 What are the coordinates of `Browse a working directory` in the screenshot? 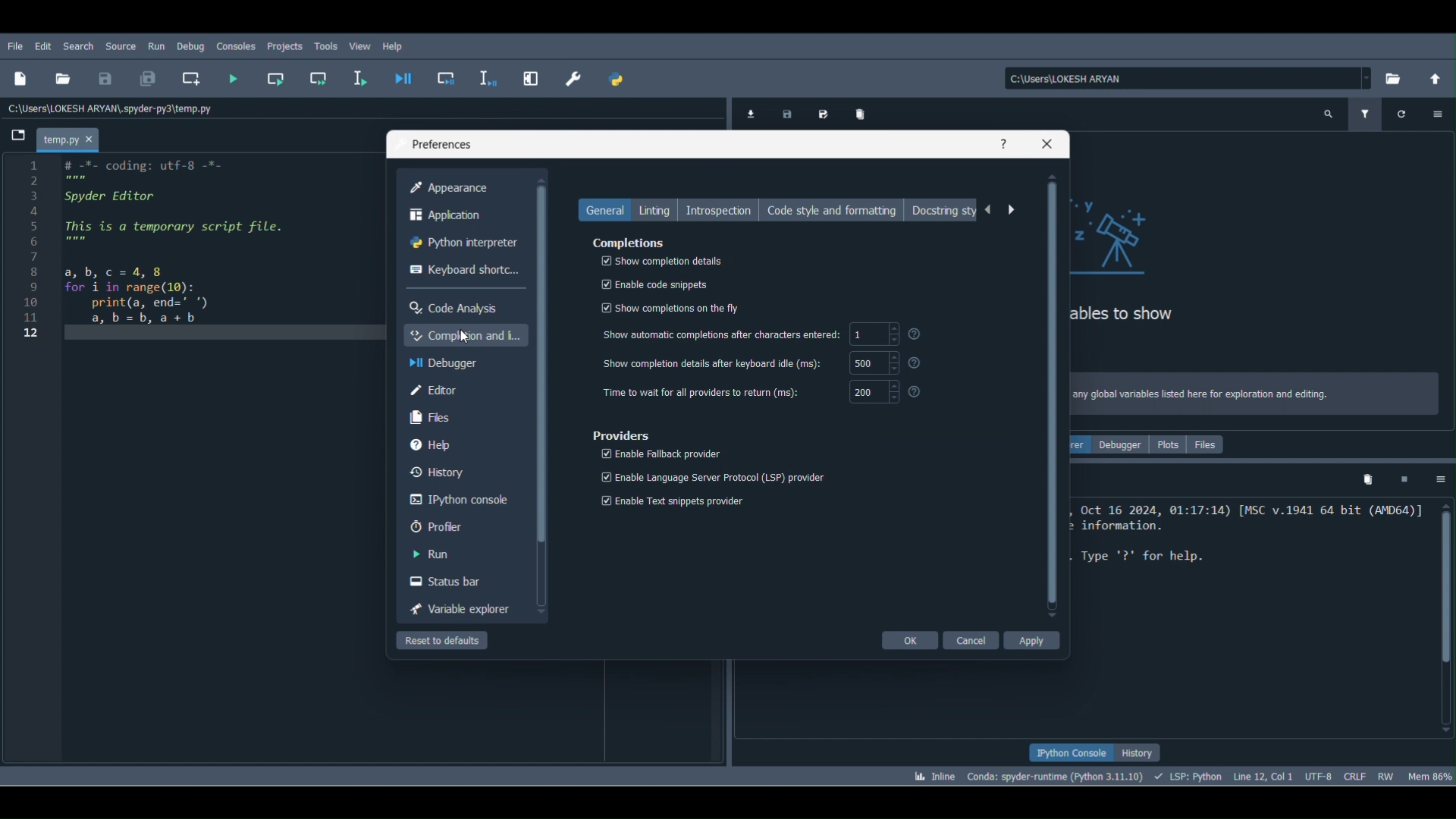 It's located at (1393, 78).